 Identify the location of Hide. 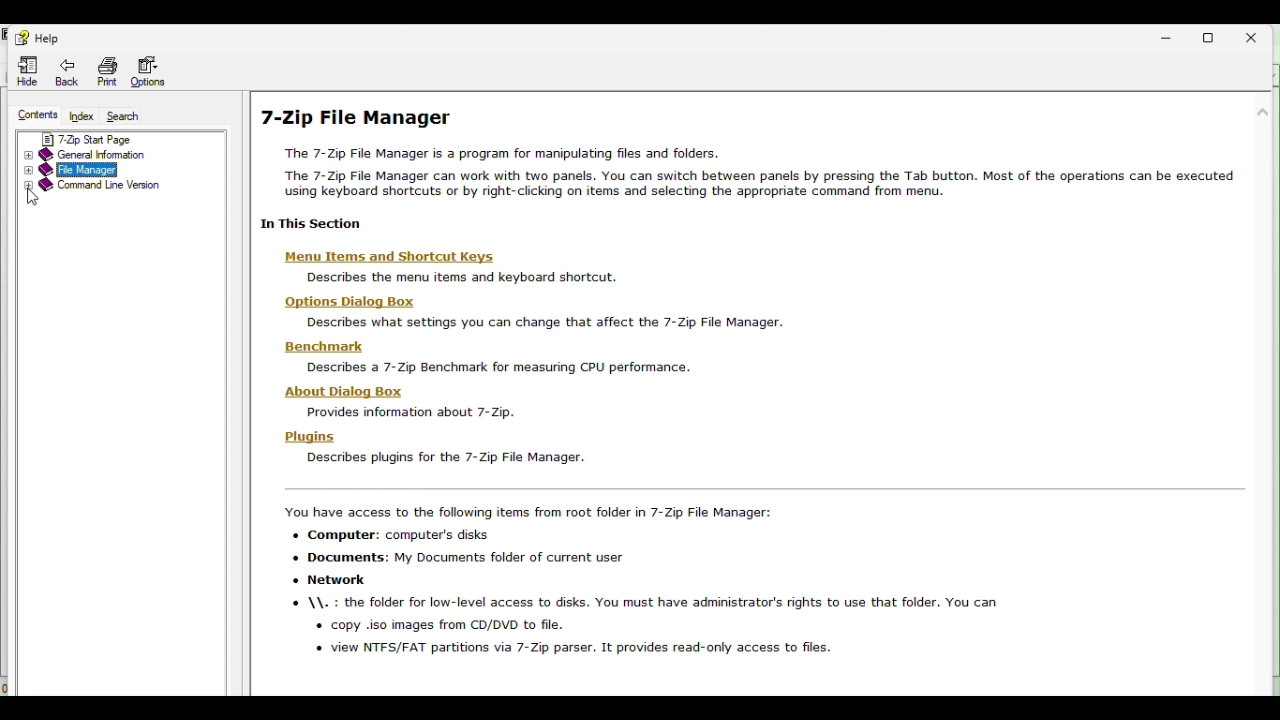
(24, 69).